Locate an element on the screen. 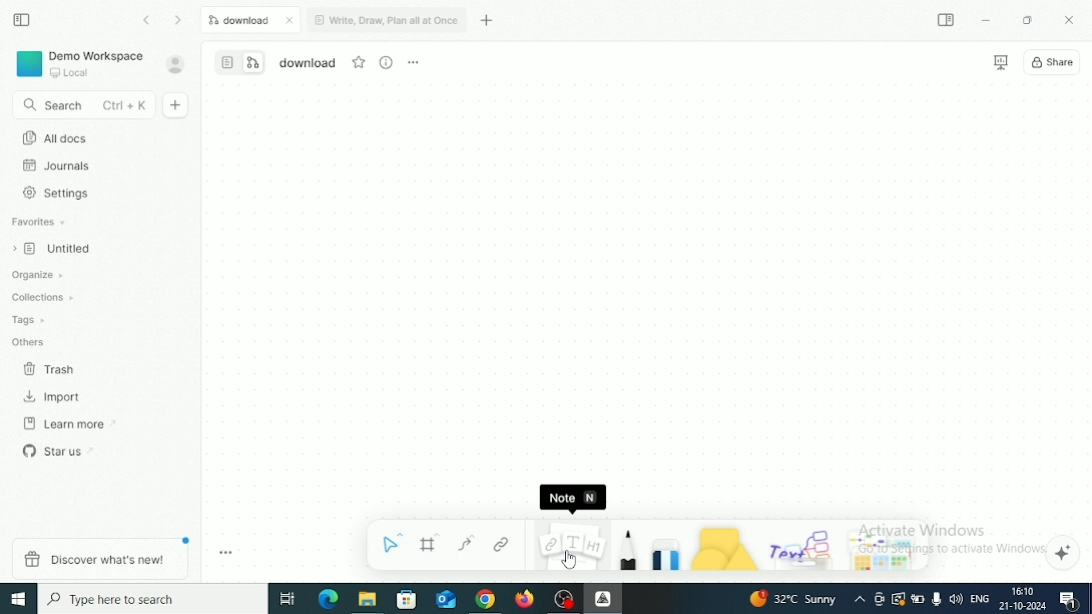  Eraser is located at coordinates (667, 548).